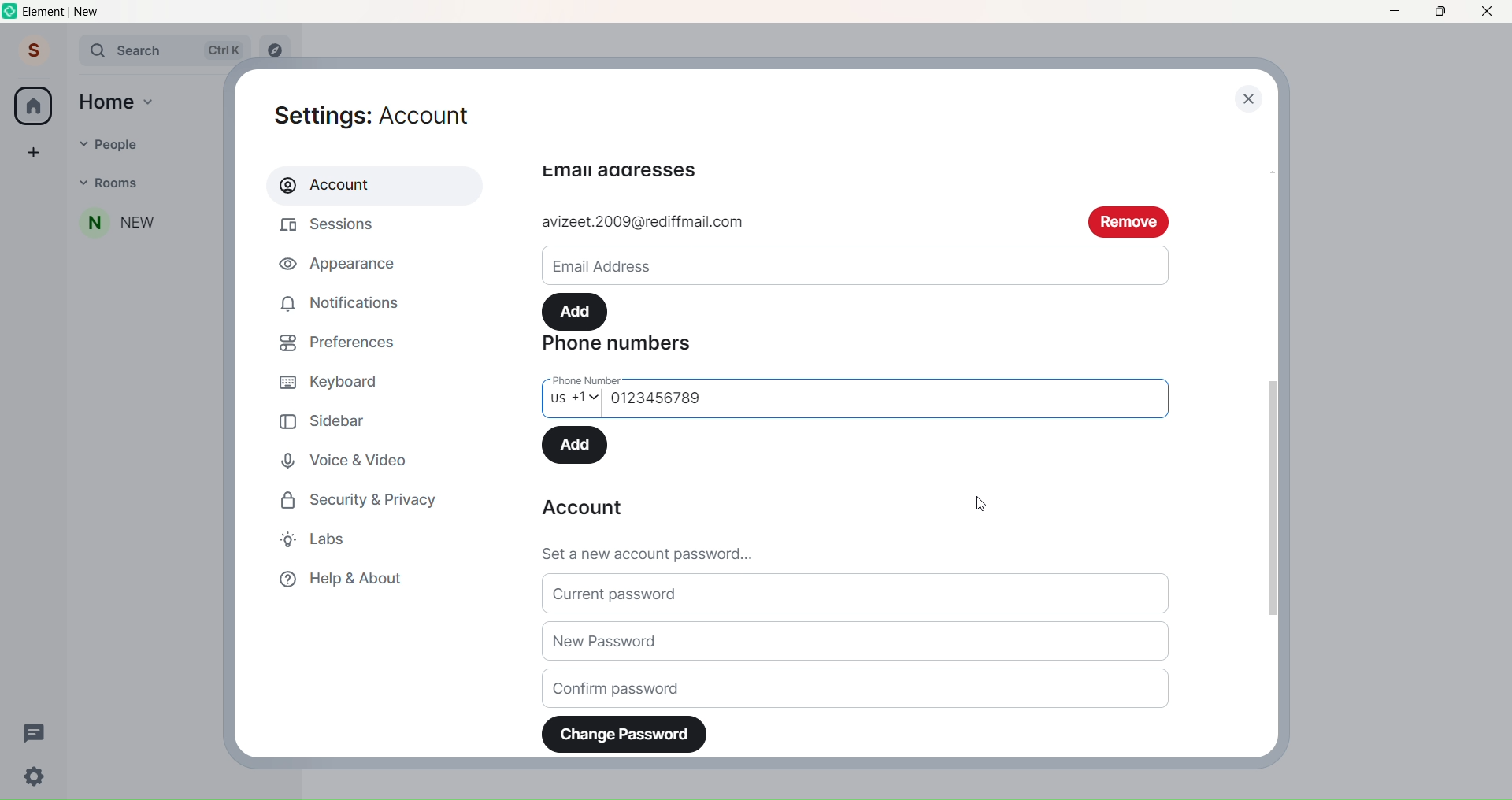  I want to click on Sidebar, so click(325, 419).